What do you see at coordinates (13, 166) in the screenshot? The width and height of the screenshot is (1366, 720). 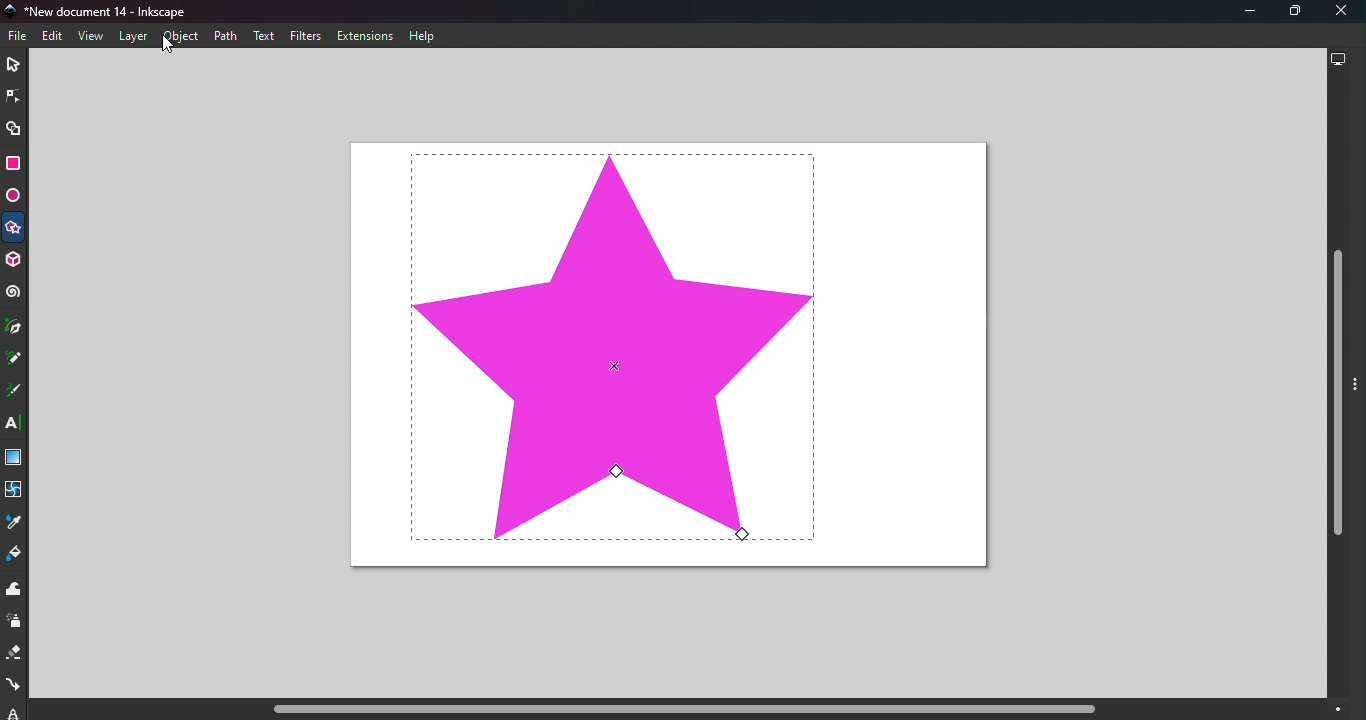 I see `Rectangle tool` at bounding box center [13, 166].